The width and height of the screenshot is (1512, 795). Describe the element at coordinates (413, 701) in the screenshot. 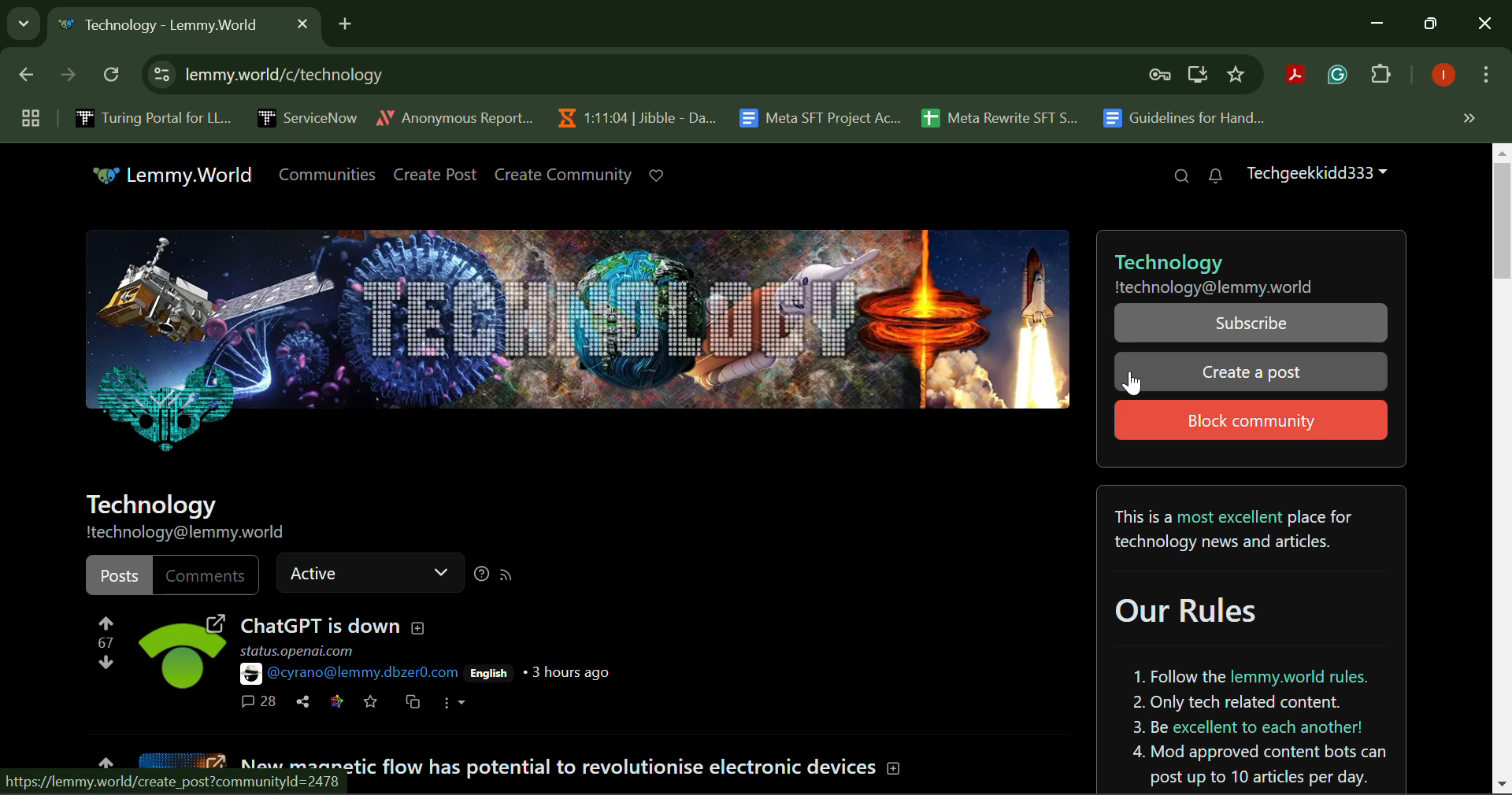

I see `Cross-post` at that location.